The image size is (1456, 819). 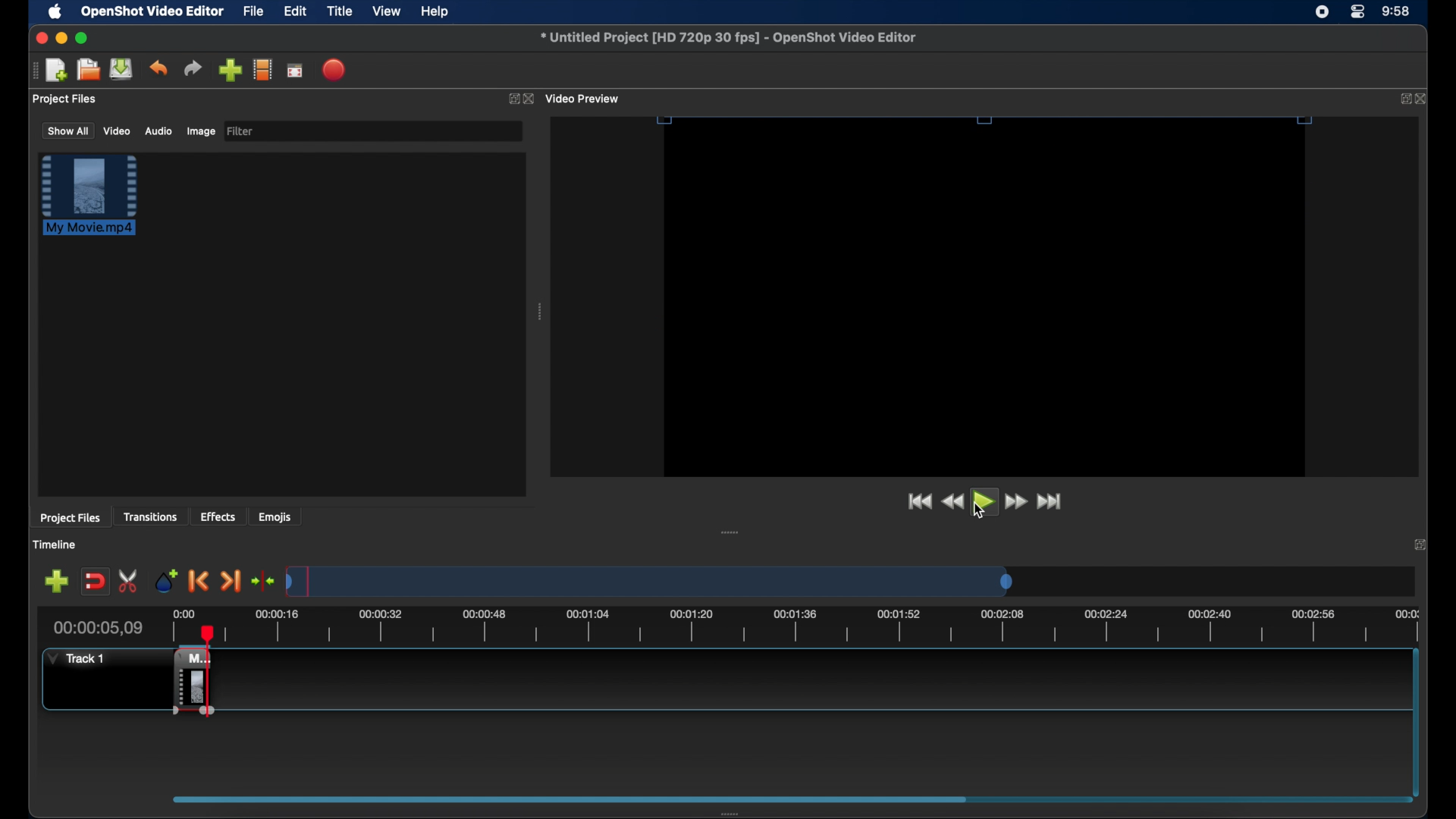 I want to click on explore profiles, so click(x=262, y=69).